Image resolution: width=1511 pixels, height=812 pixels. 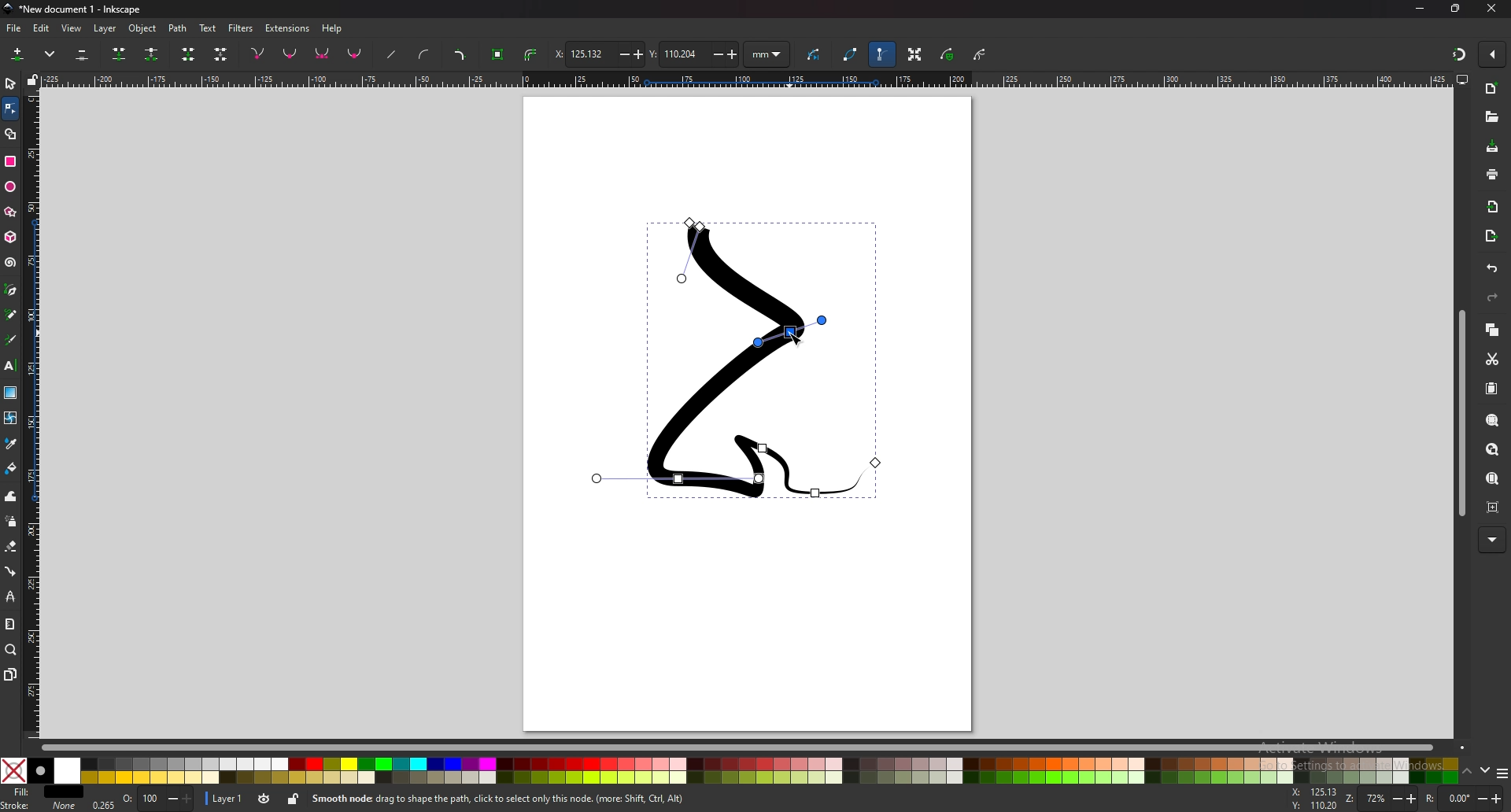 I want to click on resize, so click(x=1456, y=9).